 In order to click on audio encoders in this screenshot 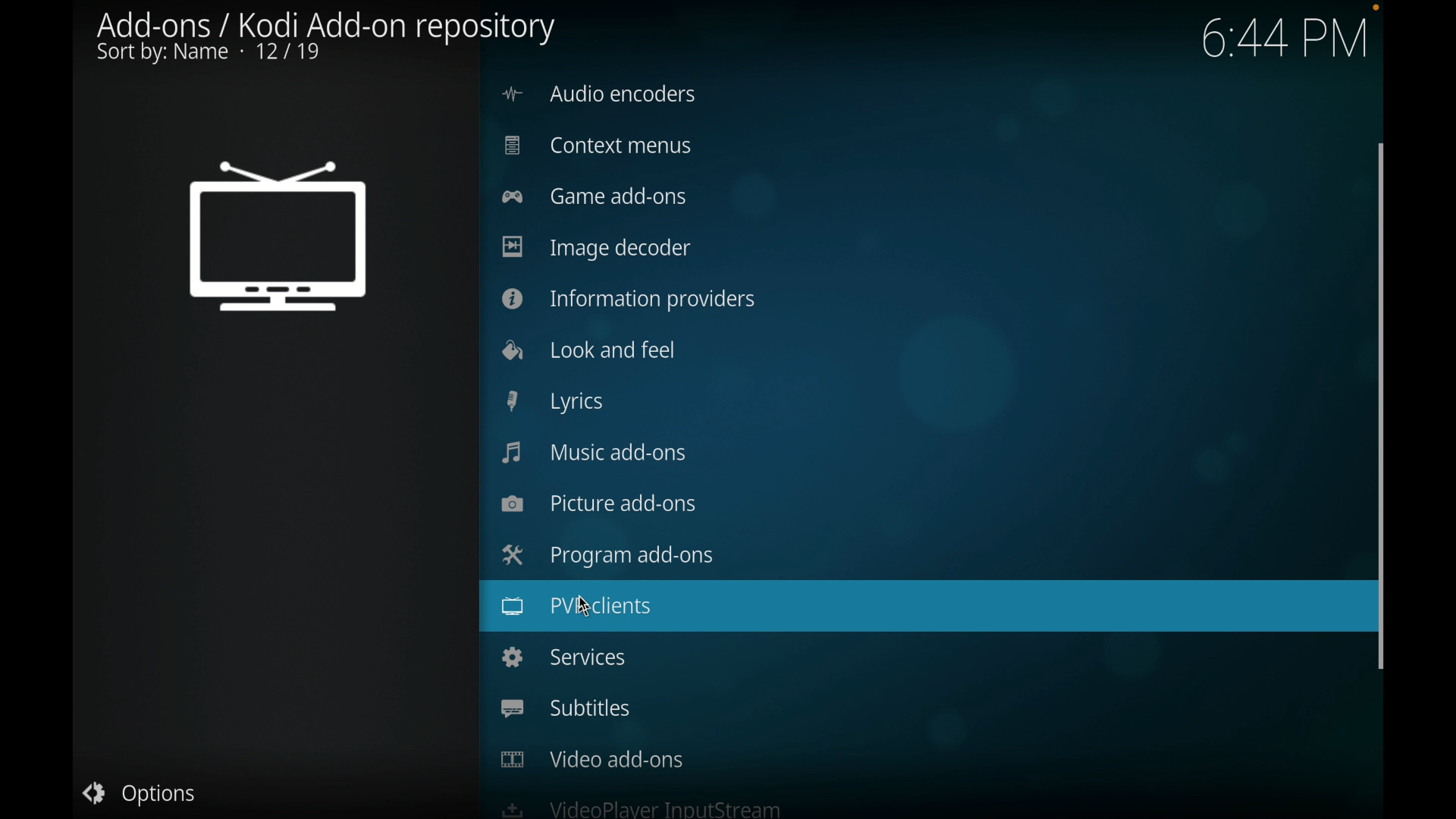, I will do `click(600, 93)`.